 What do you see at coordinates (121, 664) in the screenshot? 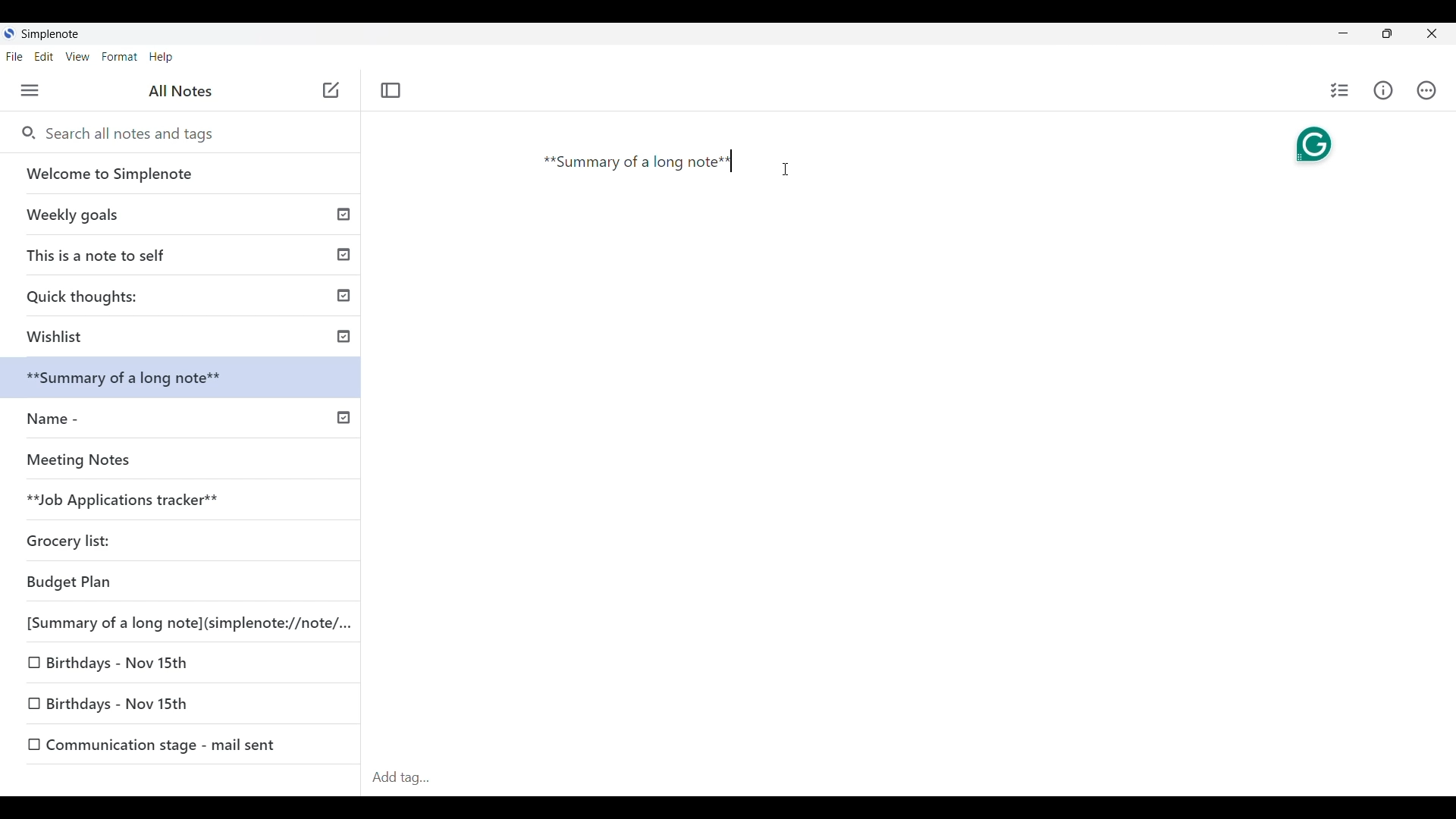
I see `Birthdays-Nov 15th` at bounding box center [121, 664].